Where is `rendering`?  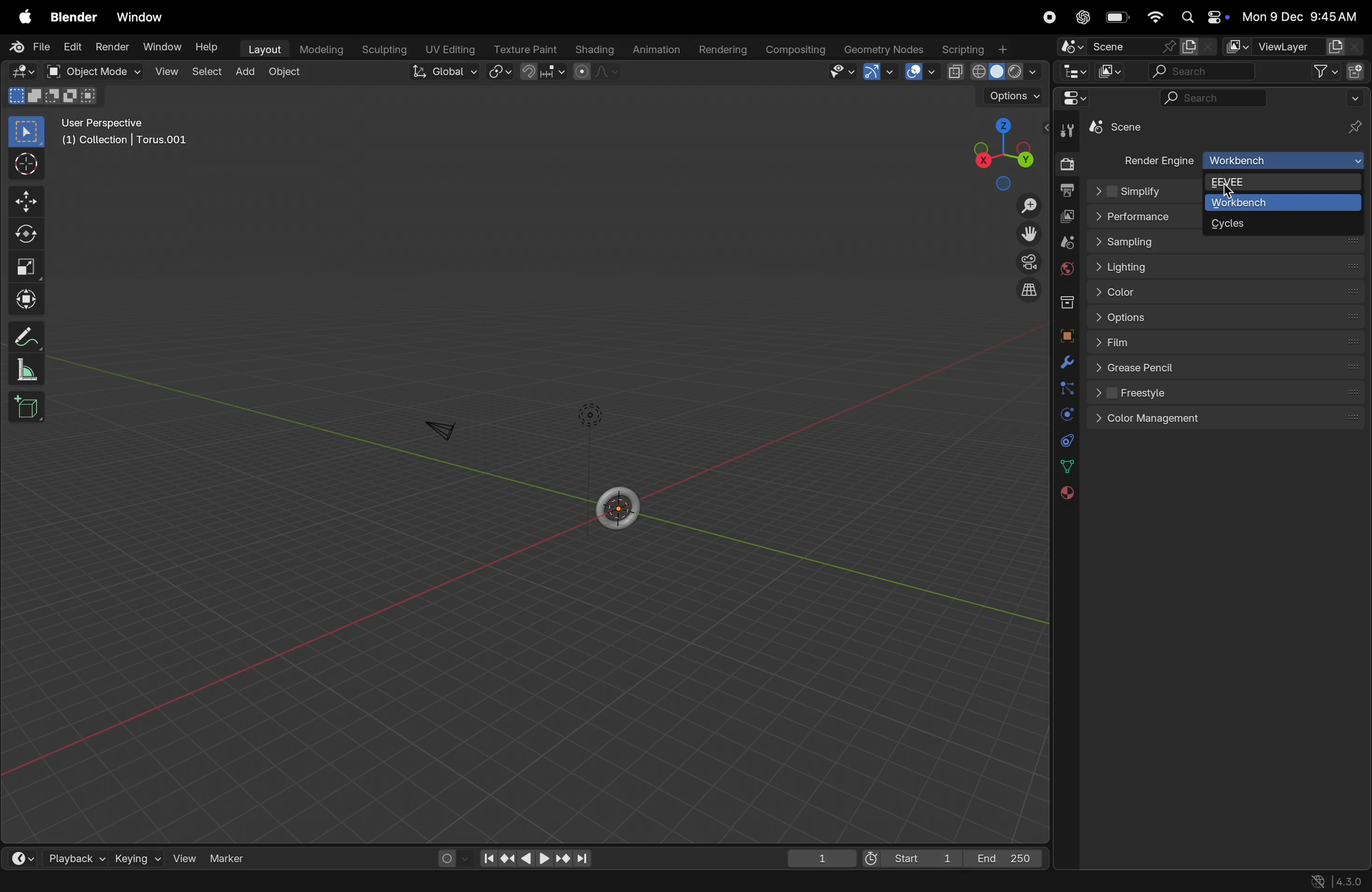 rendering is located at coordinates (725, 48).